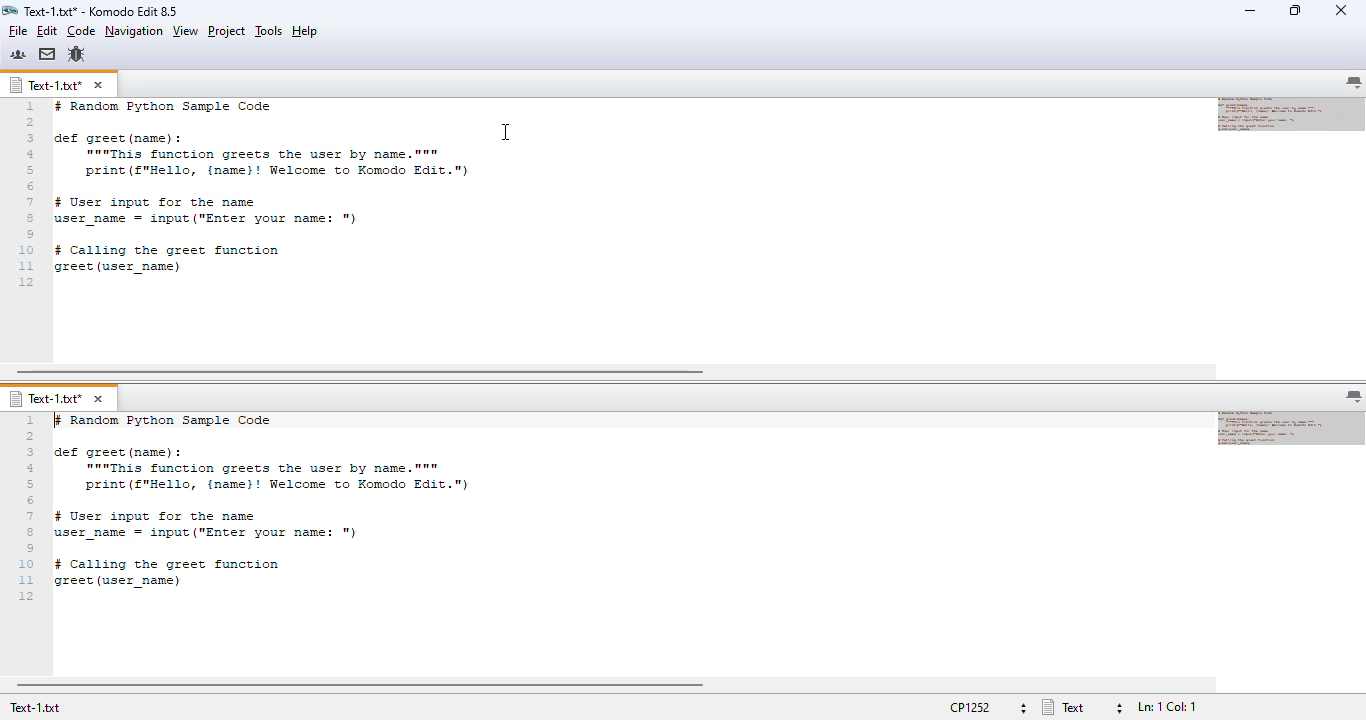 The image size is (1366, 720). What do you see at coordinates (9, 11) in the screenshot?
I see `logo` at bounding box center [9, 11].